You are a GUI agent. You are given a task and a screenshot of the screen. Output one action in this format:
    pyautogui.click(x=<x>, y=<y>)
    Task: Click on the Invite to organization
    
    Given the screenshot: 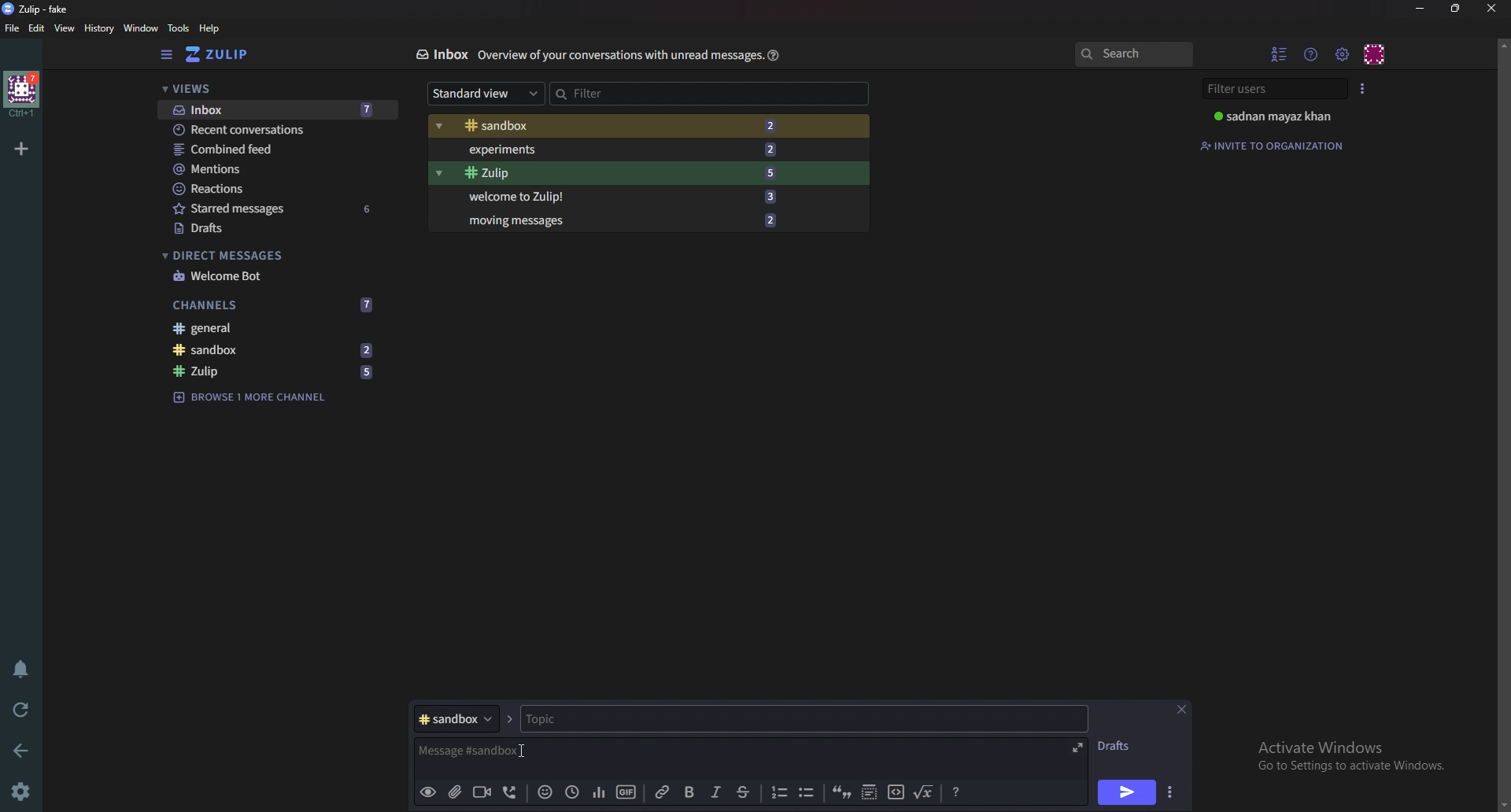 What is the action you would take?
    pyautogui.click(x=1275, y=144)
    